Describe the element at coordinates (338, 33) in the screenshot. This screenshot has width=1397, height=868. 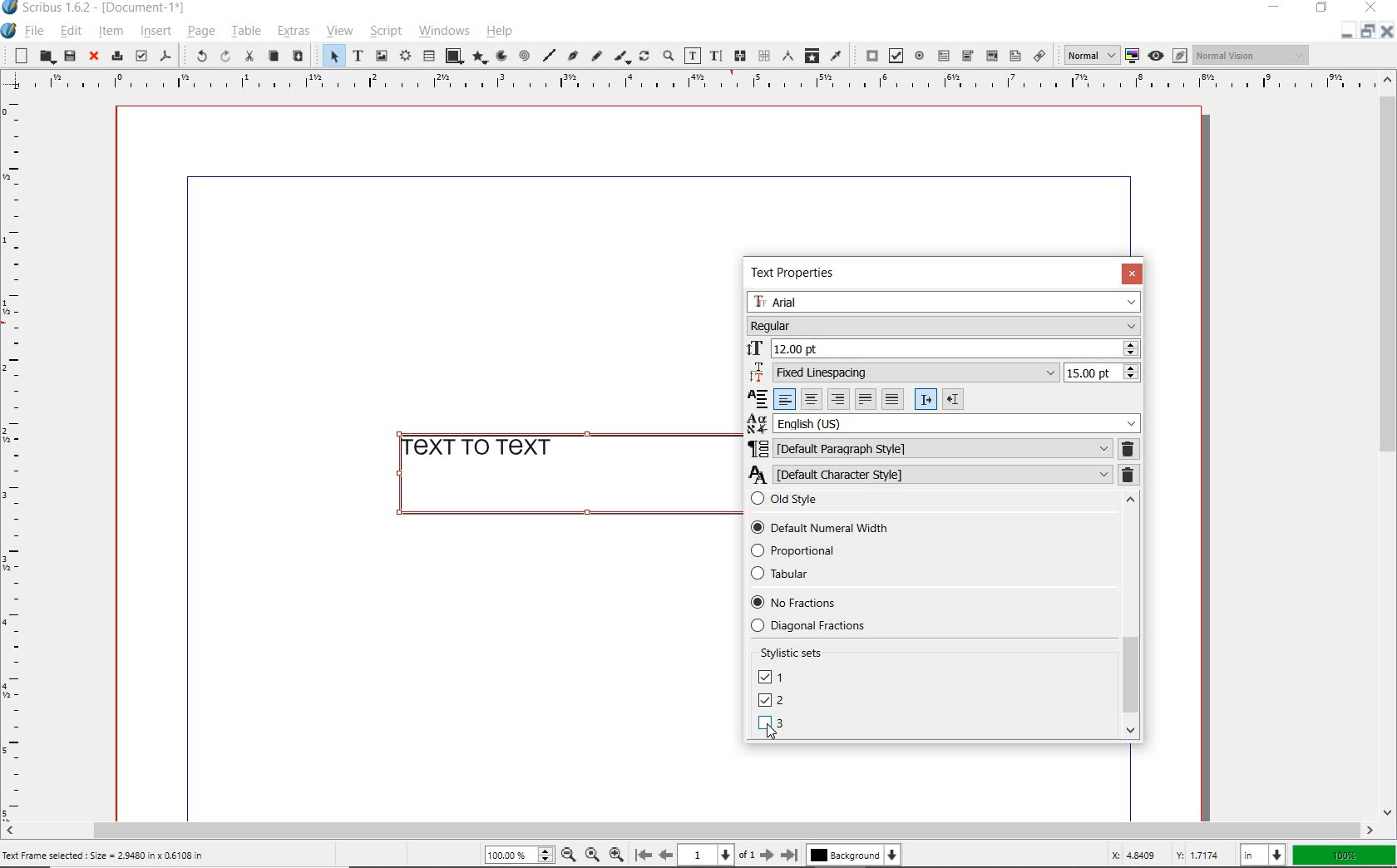
I see `view` at that location.